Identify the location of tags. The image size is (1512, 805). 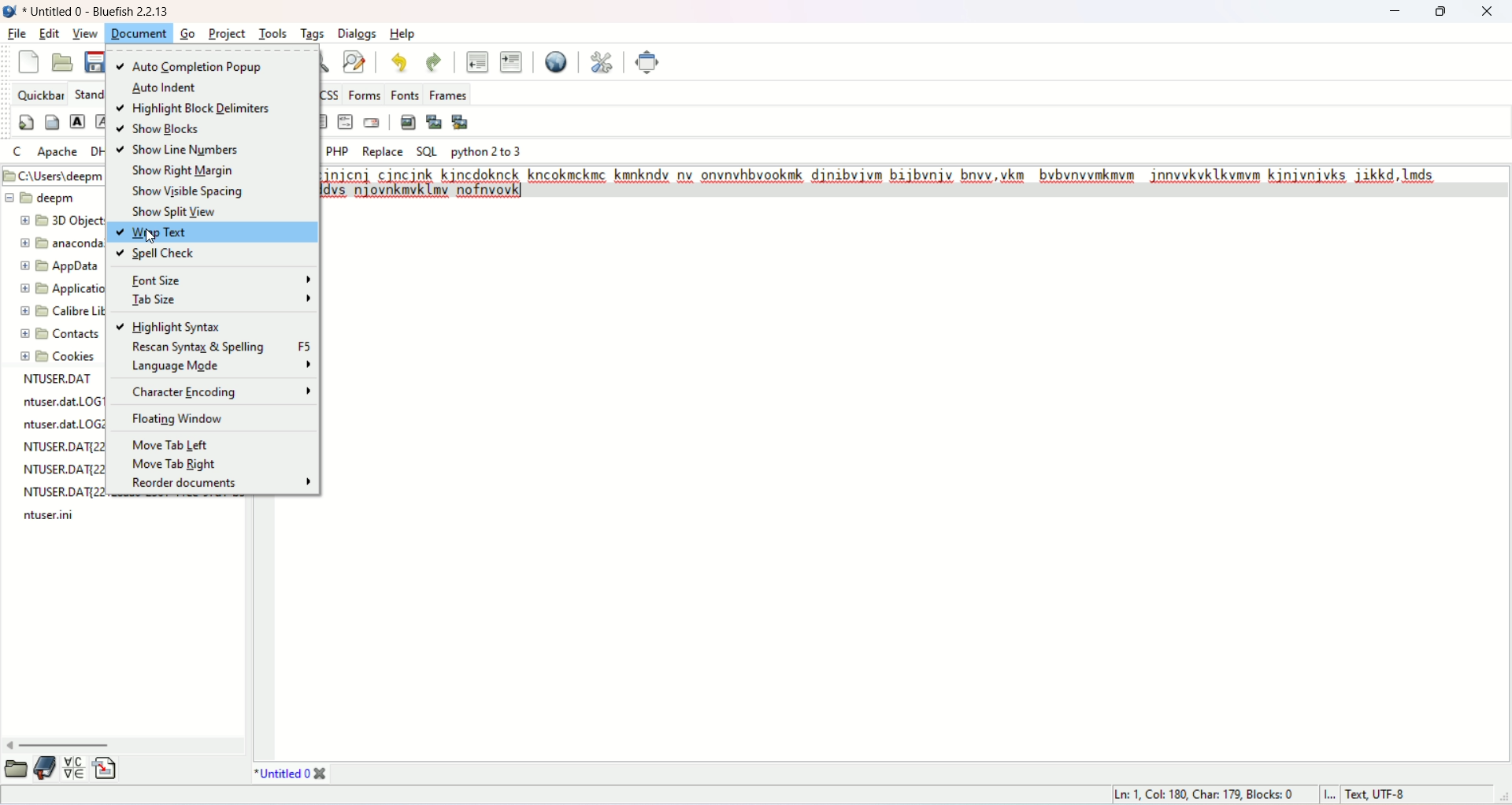
(313, 32).